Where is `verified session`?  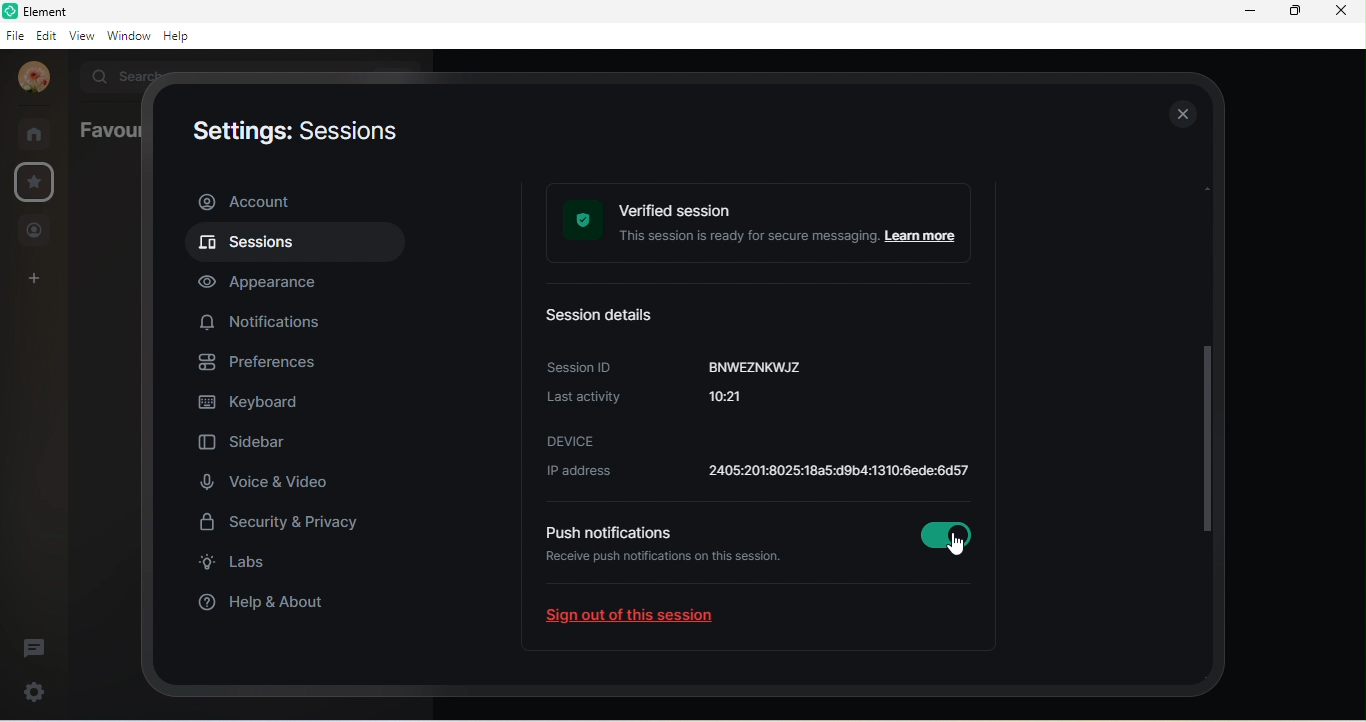 verified session is located at coordinates (765, 225).